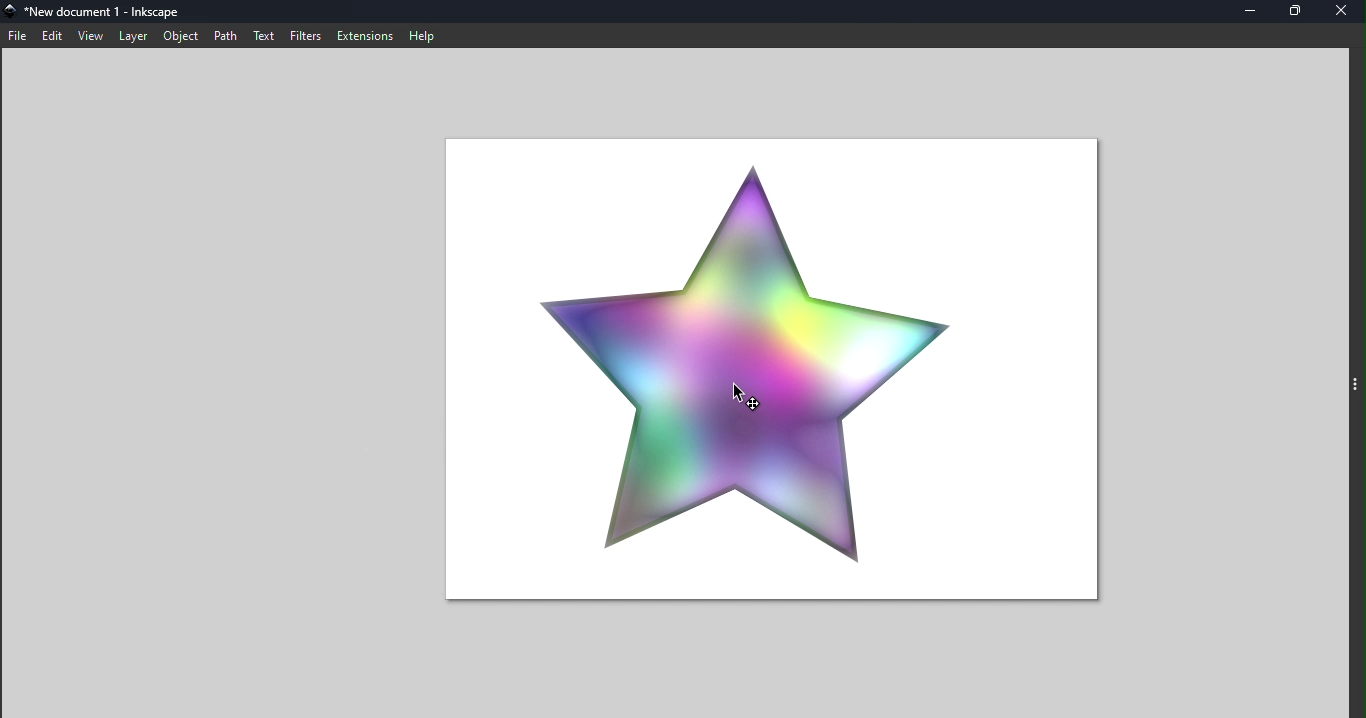 The height and width of the screenshot is (718, 1366). I want to click on Maximize, so click(1293, 12).